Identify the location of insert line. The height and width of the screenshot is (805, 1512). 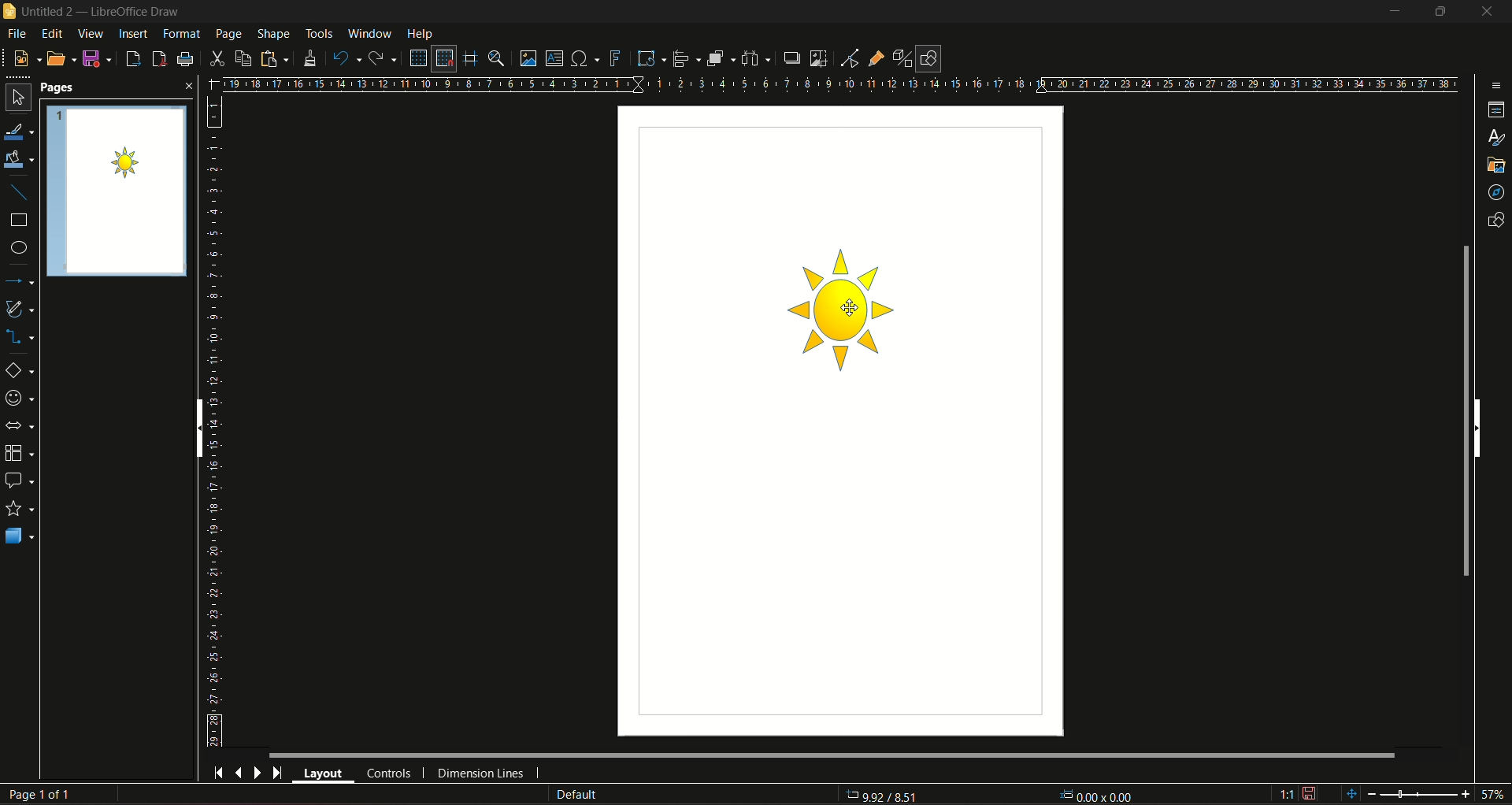
(18, 193).